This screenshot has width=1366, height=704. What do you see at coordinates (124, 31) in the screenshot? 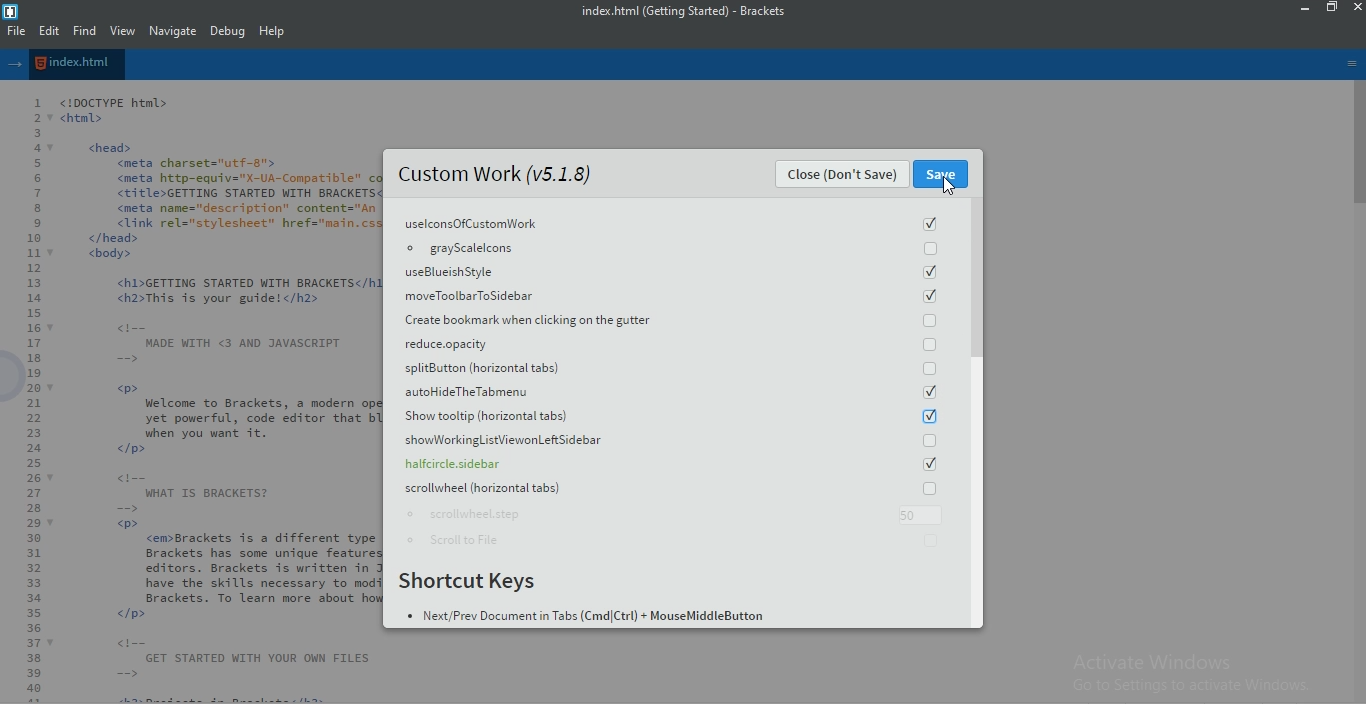
I see `view` at bounding box center [124, 31].